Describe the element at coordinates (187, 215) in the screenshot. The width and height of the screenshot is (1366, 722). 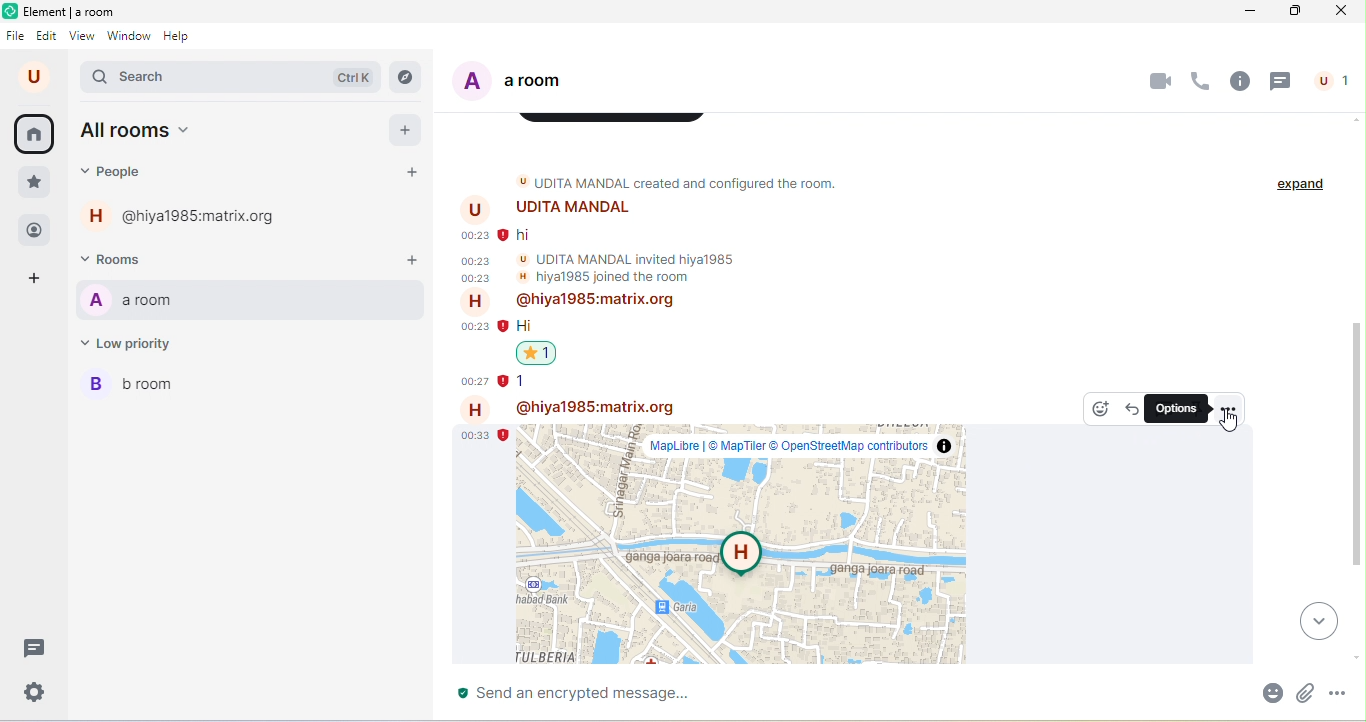
I see `@hiya1985:matrix.org` at that location.